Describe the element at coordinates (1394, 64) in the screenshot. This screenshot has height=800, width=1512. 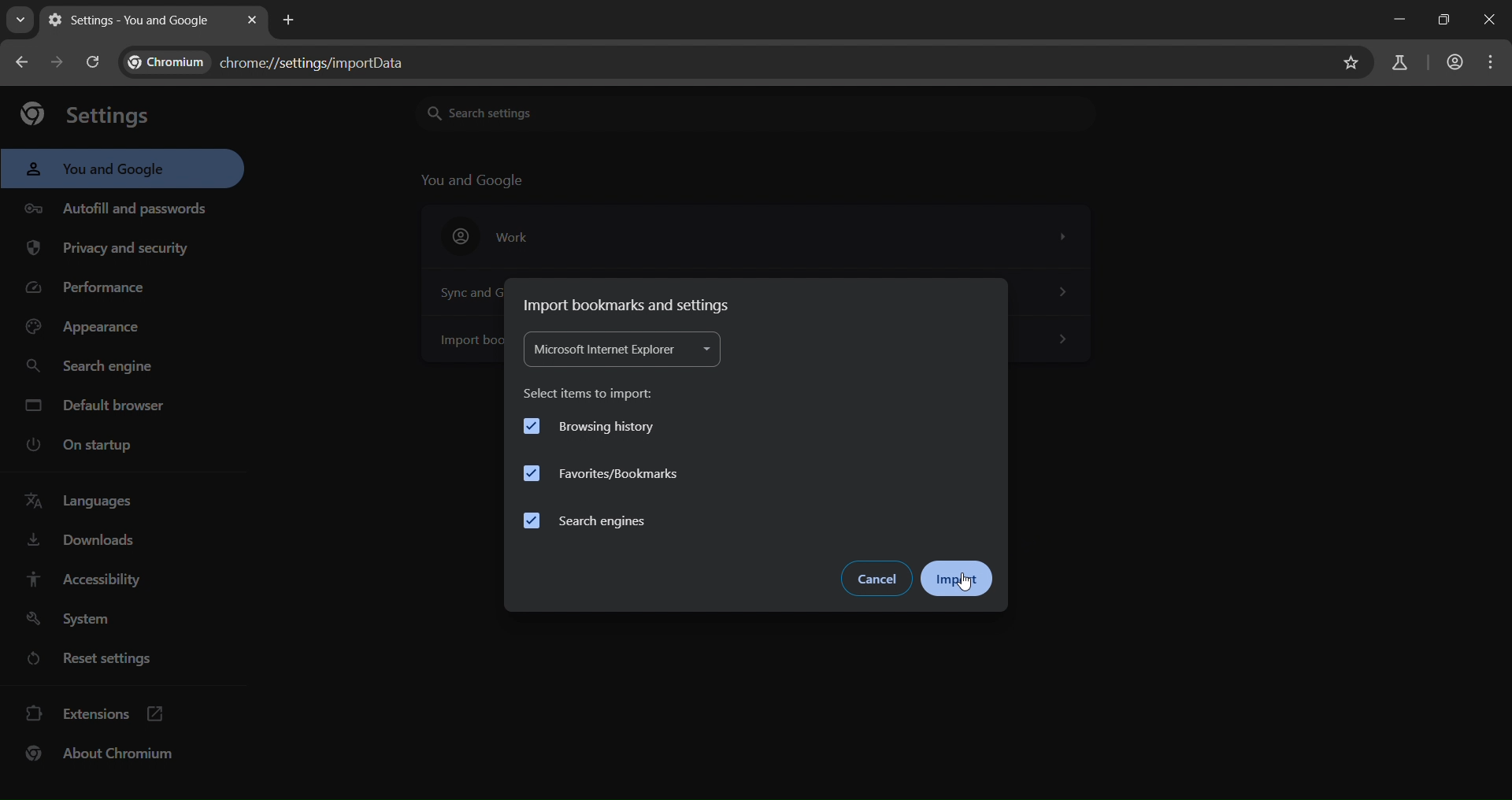
I see `search labs` at that location.